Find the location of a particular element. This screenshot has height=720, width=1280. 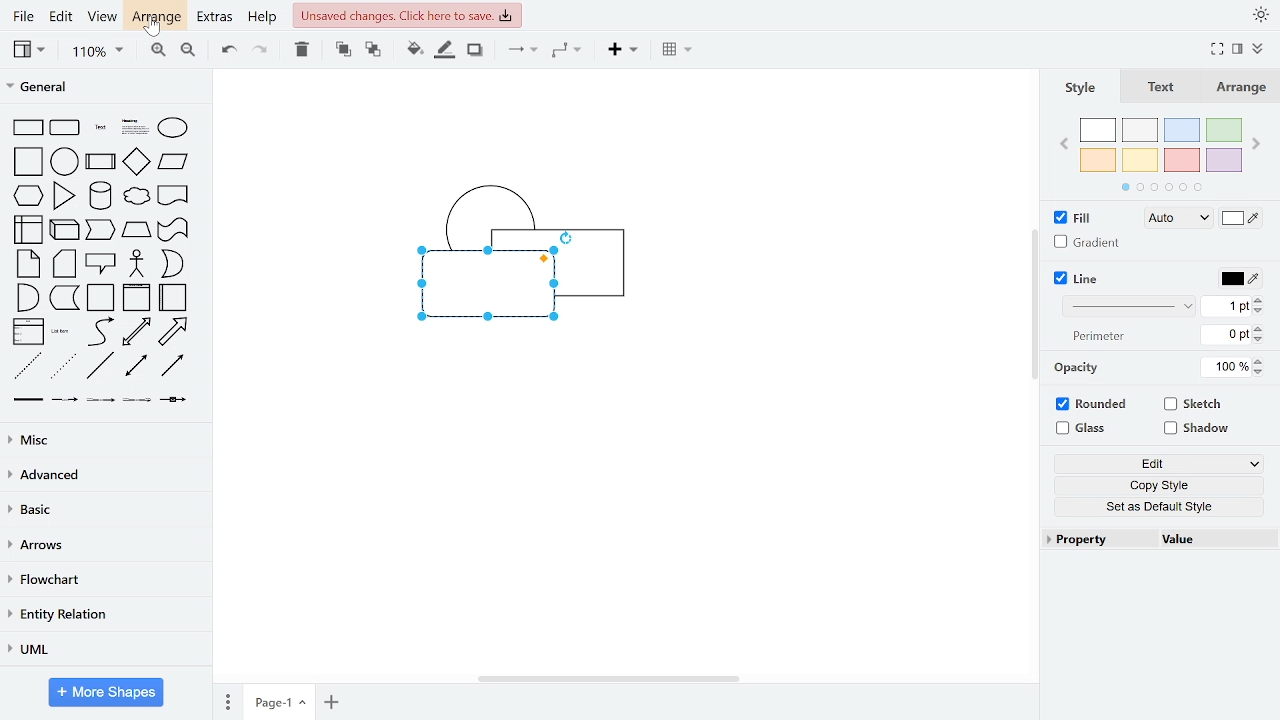

edit is located at coordinates (1156, 466).